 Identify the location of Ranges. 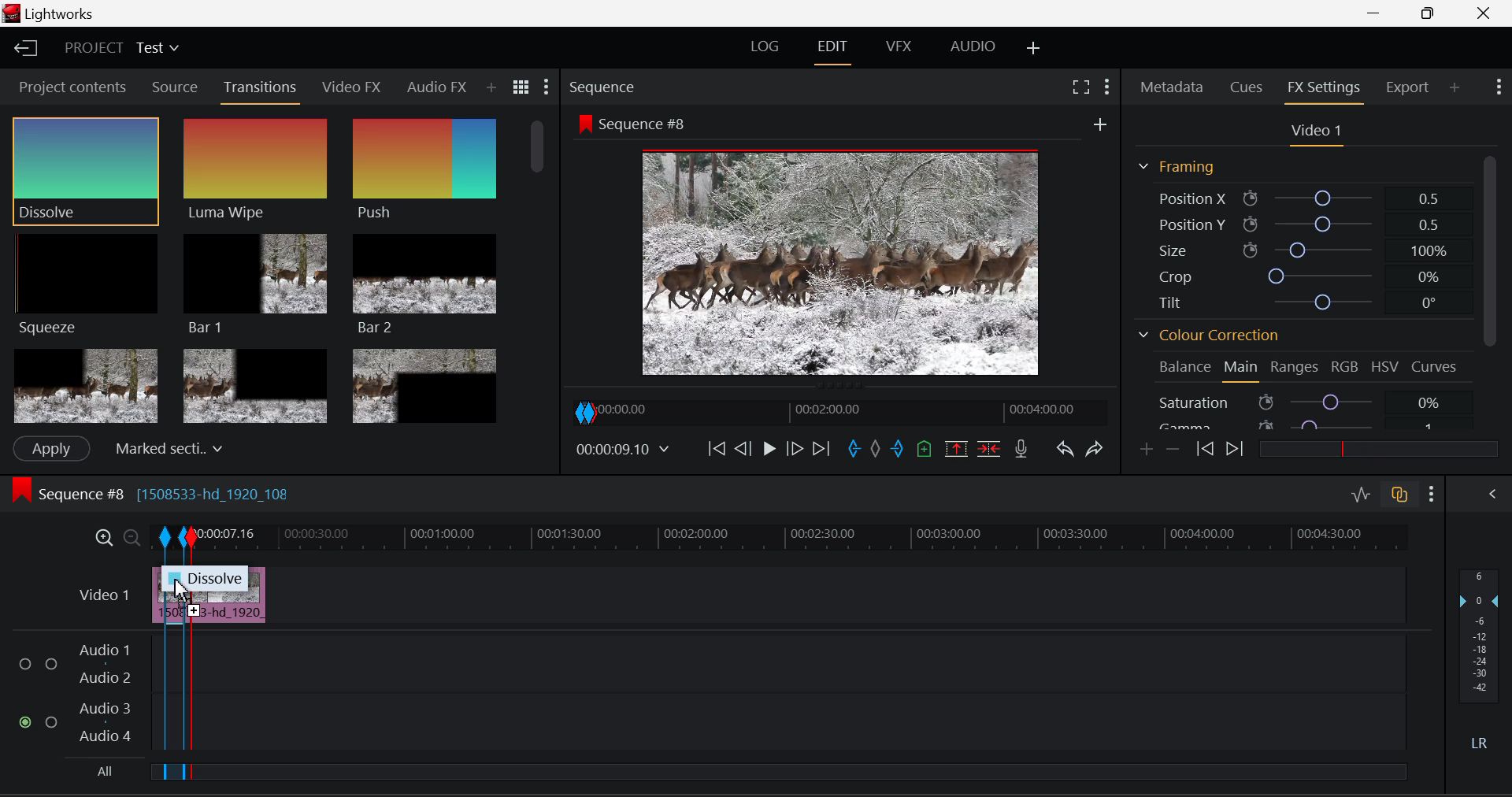
(1295, 369).